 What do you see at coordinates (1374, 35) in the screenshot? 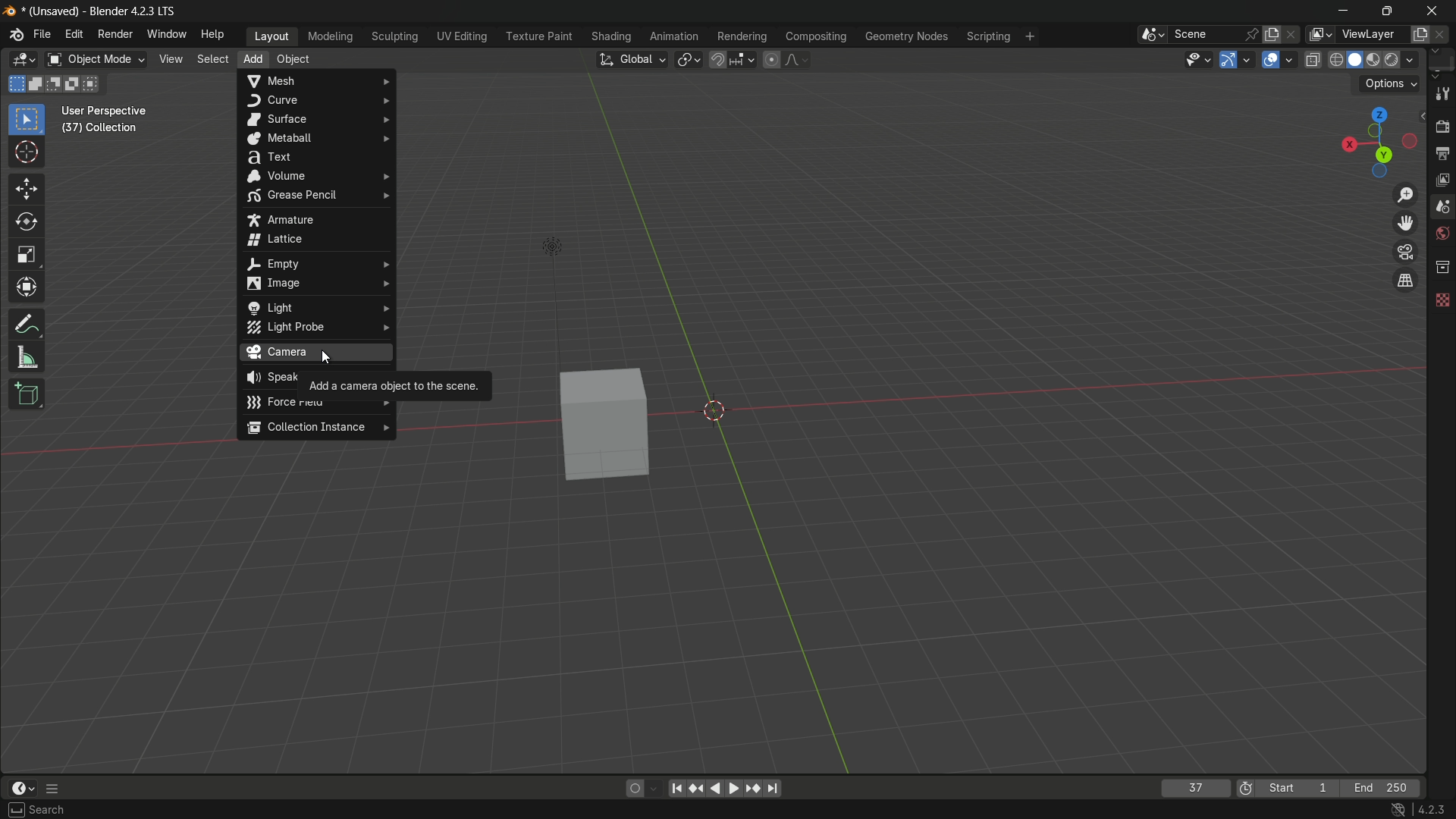
I see `view layer name` at bounding box center [1374, 35].